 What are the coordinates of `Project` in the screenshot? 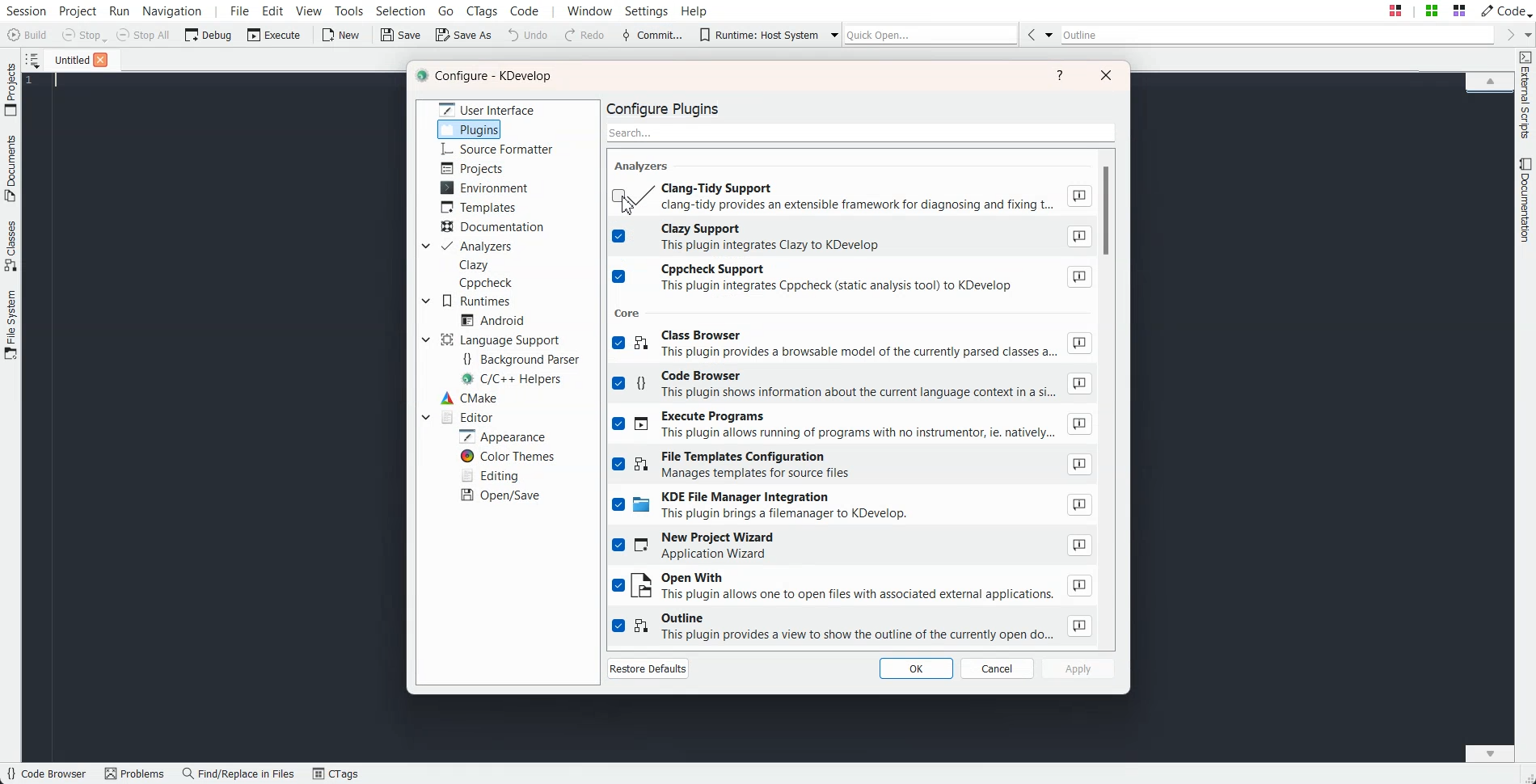 It's located at (11, 89).